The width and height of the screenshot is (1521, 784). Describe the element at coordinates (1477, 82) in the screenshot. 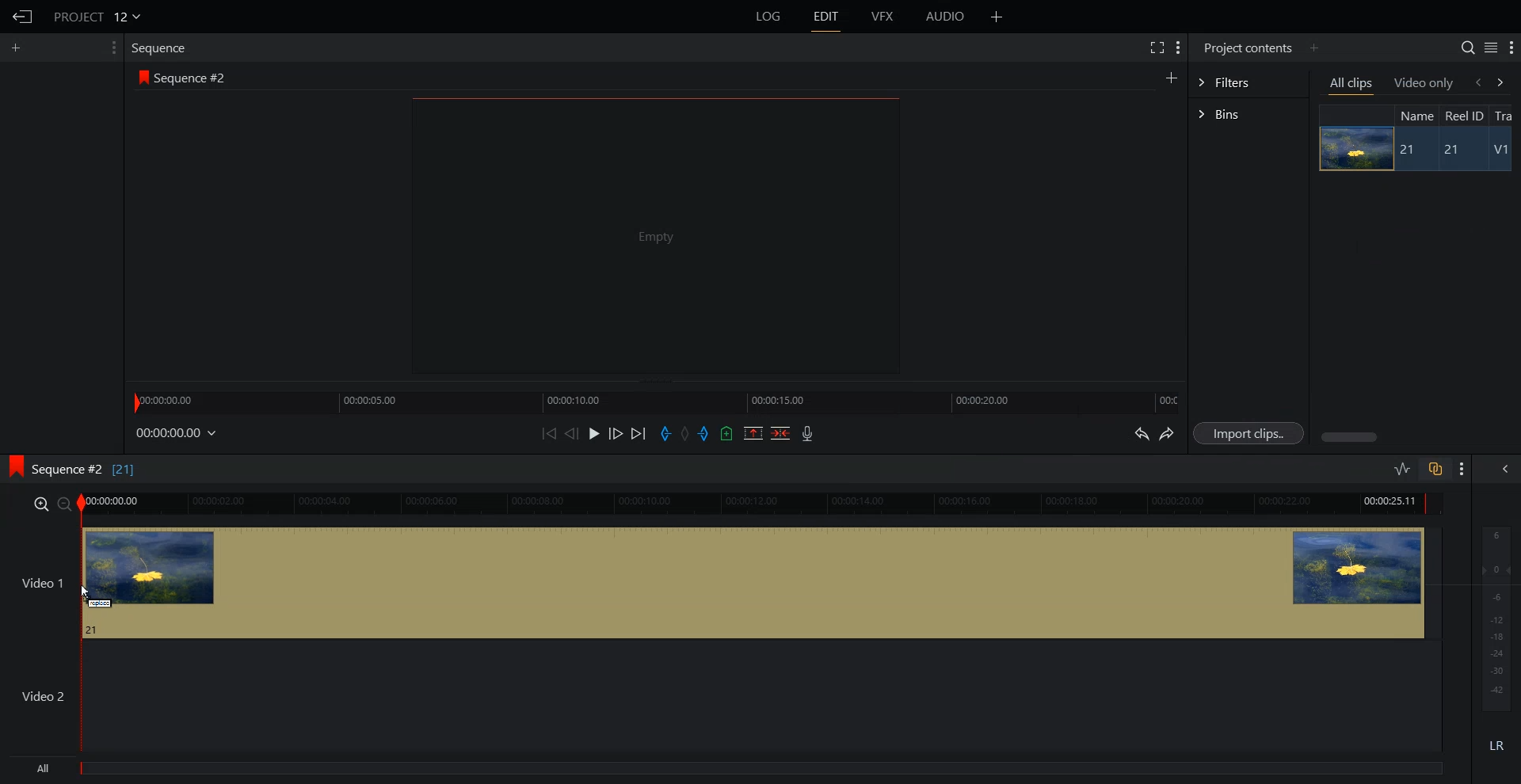

I see `backward` at that location.